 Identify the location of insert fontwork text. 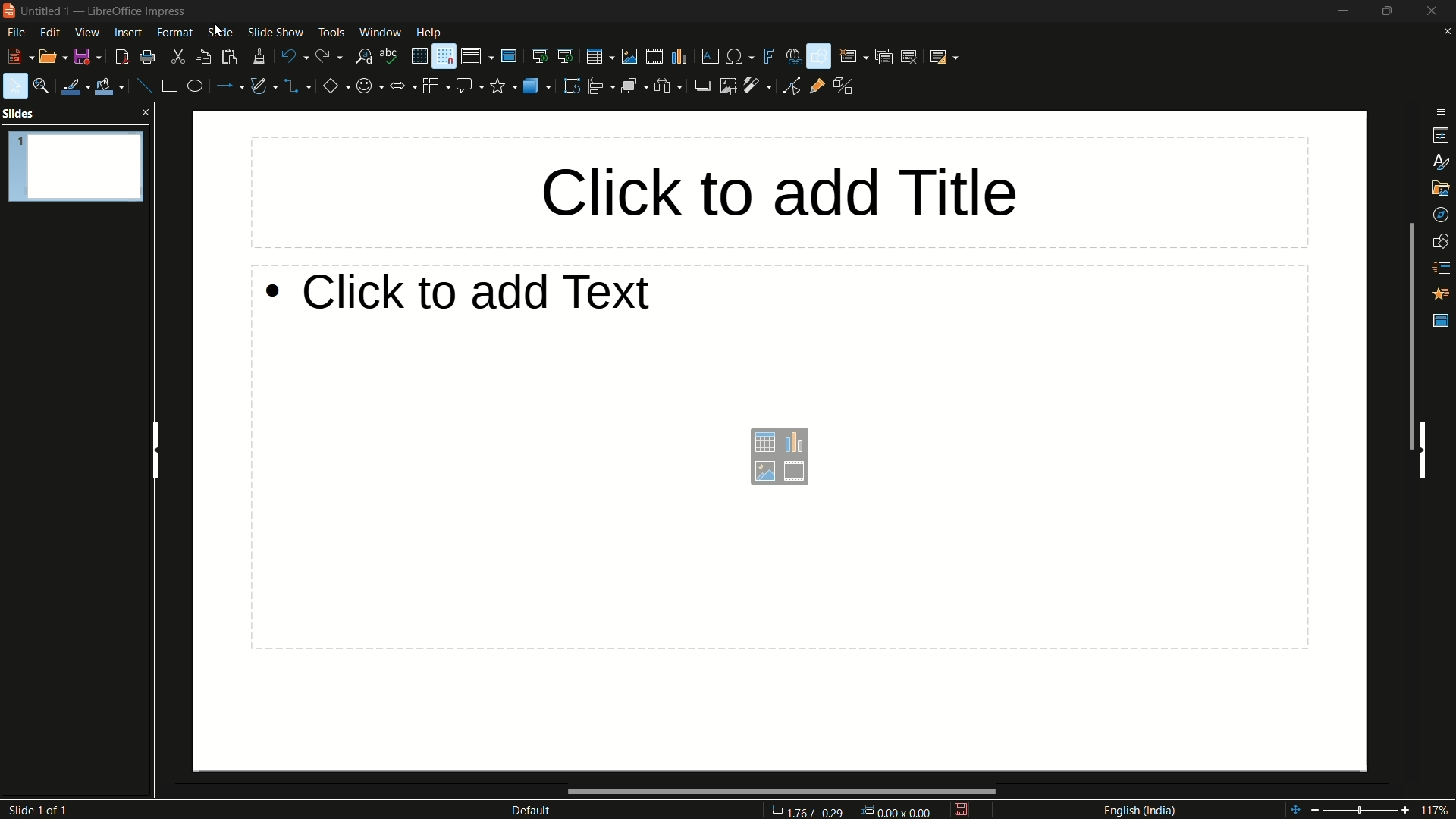
(768, 55).